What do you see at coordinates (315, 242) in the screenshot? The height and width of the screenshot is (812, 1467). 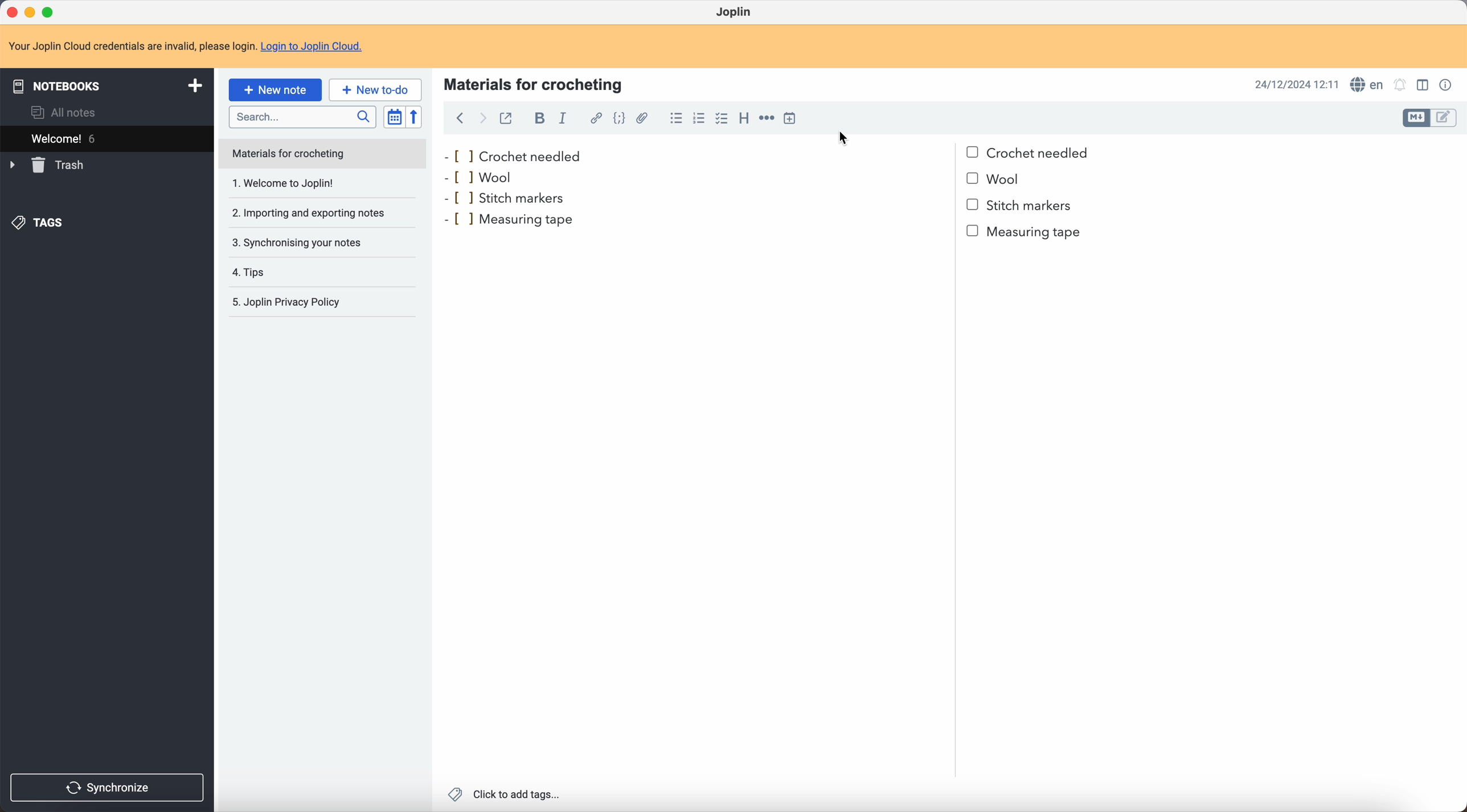 I see `synchronising your notes` at bounding box center [315, 242].